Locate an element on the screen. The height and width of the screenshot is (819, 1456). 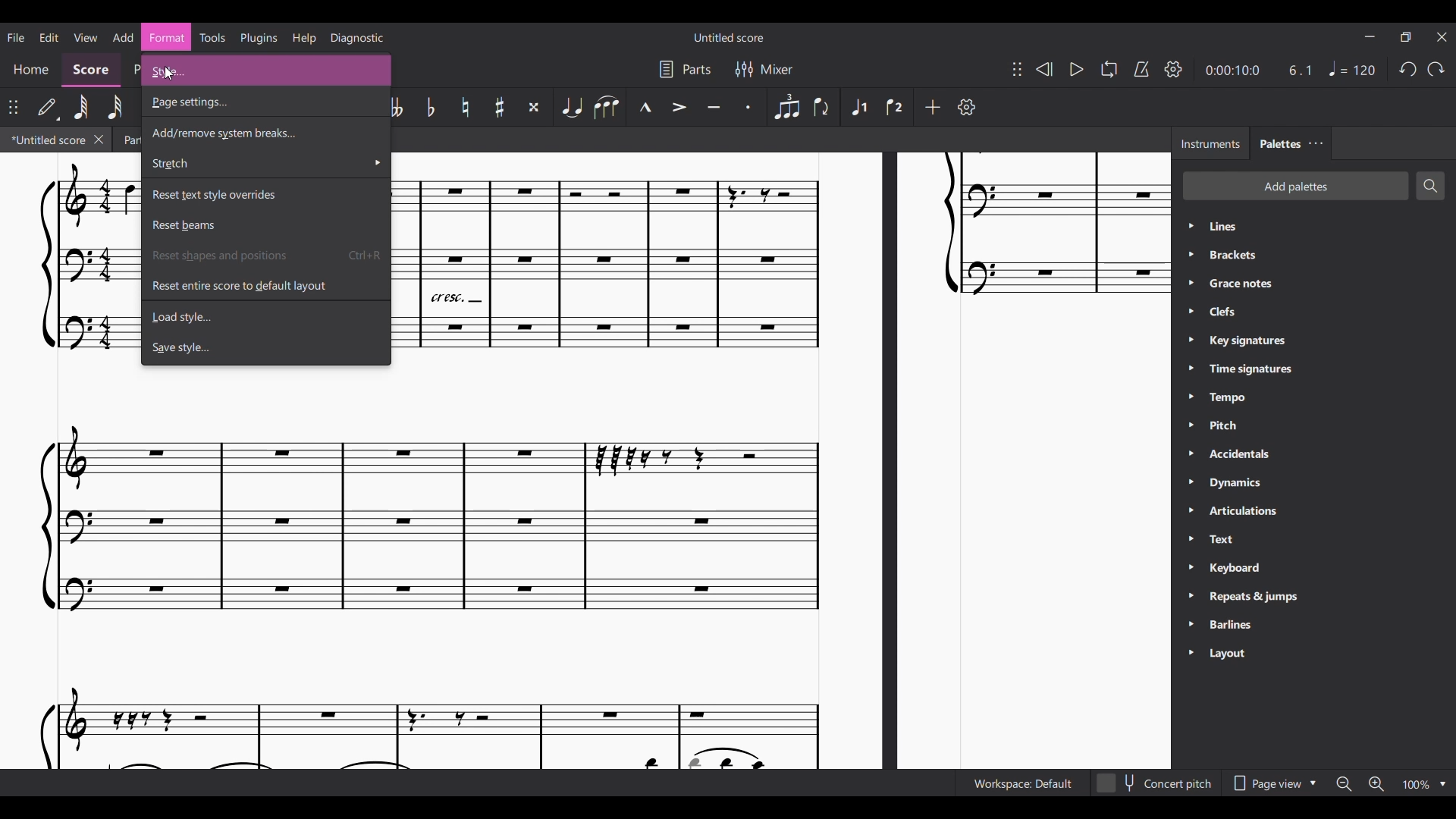
Staccato is located at coordinates (750, 108).